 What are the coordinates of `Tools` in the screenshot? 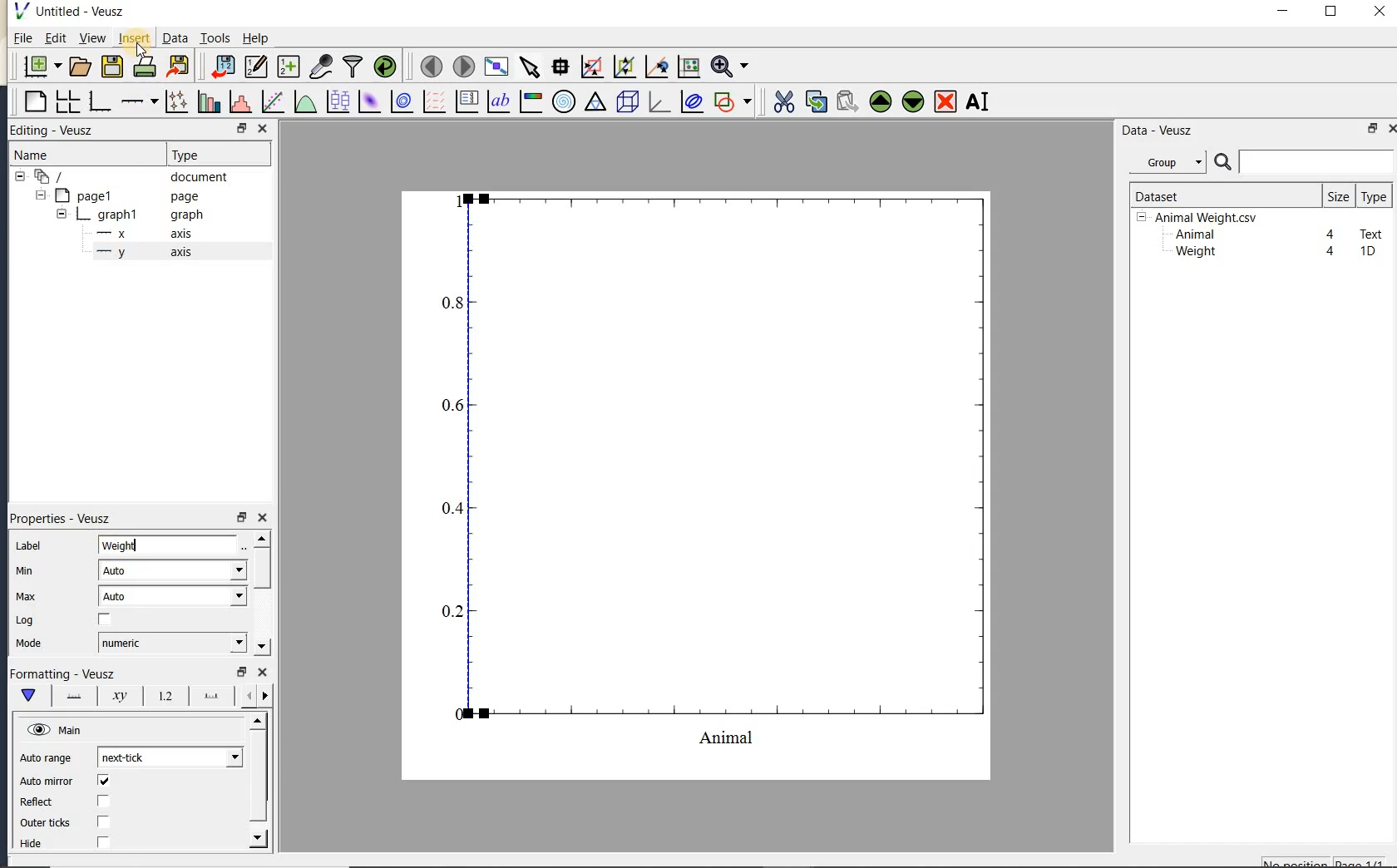 It's located at (216, 37).